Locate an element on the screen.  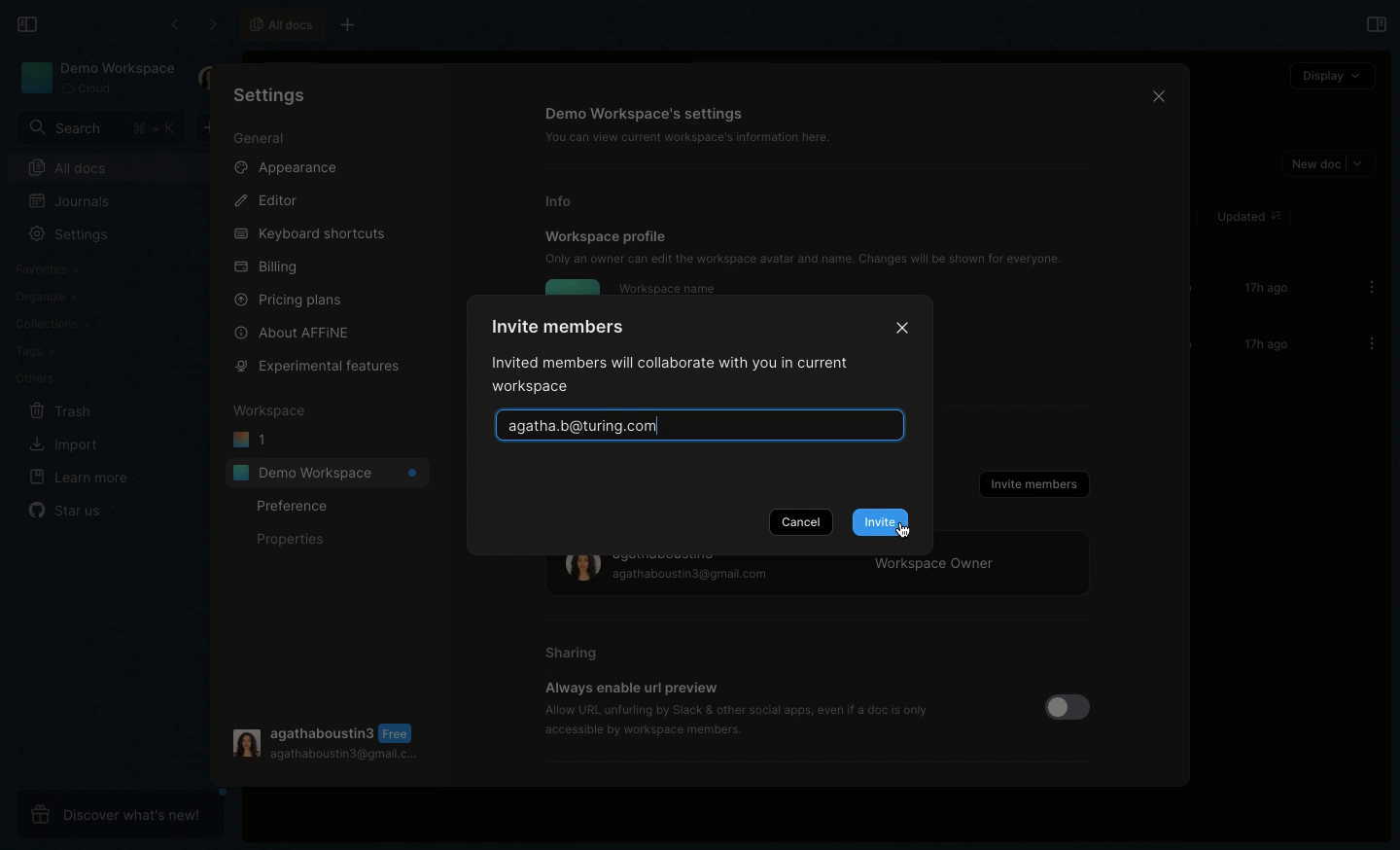
New tab is located at coordinates (357, 23).